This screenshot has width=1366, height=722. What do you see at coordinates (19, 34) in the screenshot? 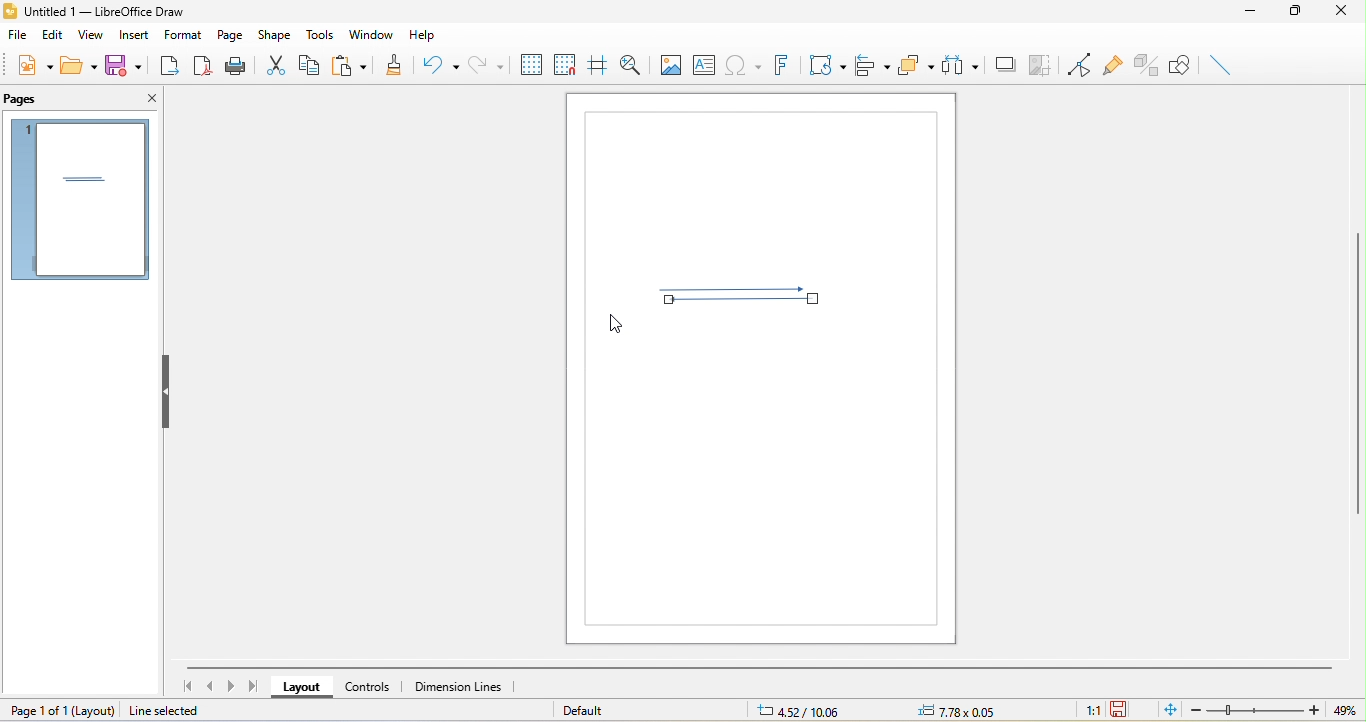
I see `file` at bounding box center [19, 34].